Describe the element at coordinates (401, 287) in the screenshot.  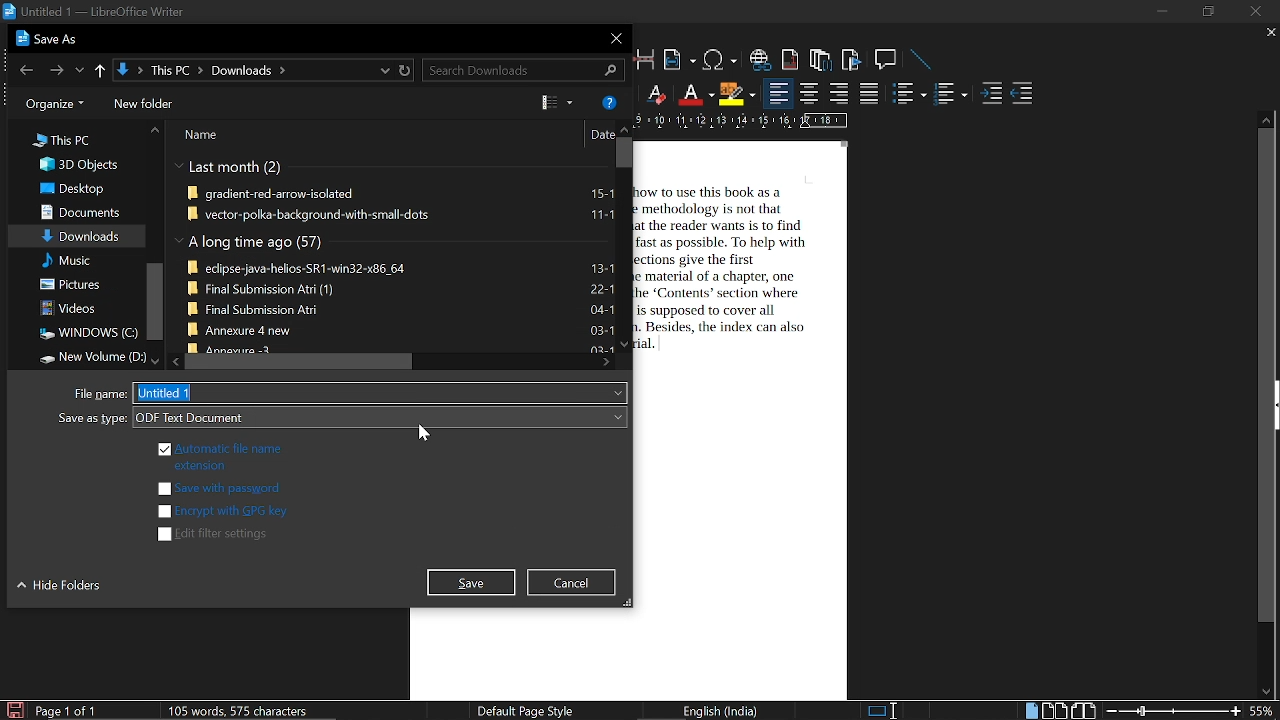
I see `Final Submission Atri (1) 22-1` at that location.